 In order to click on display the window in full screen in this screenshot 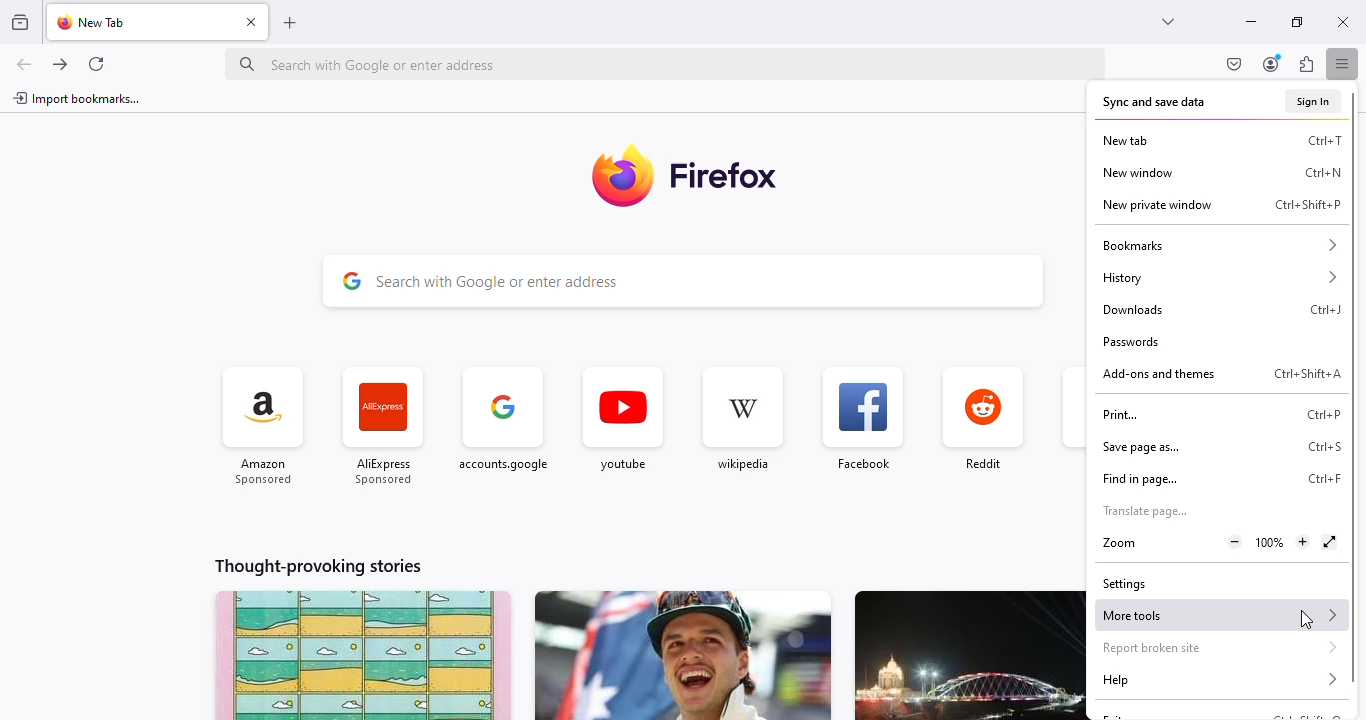, I will do `click(1331, 543)`.